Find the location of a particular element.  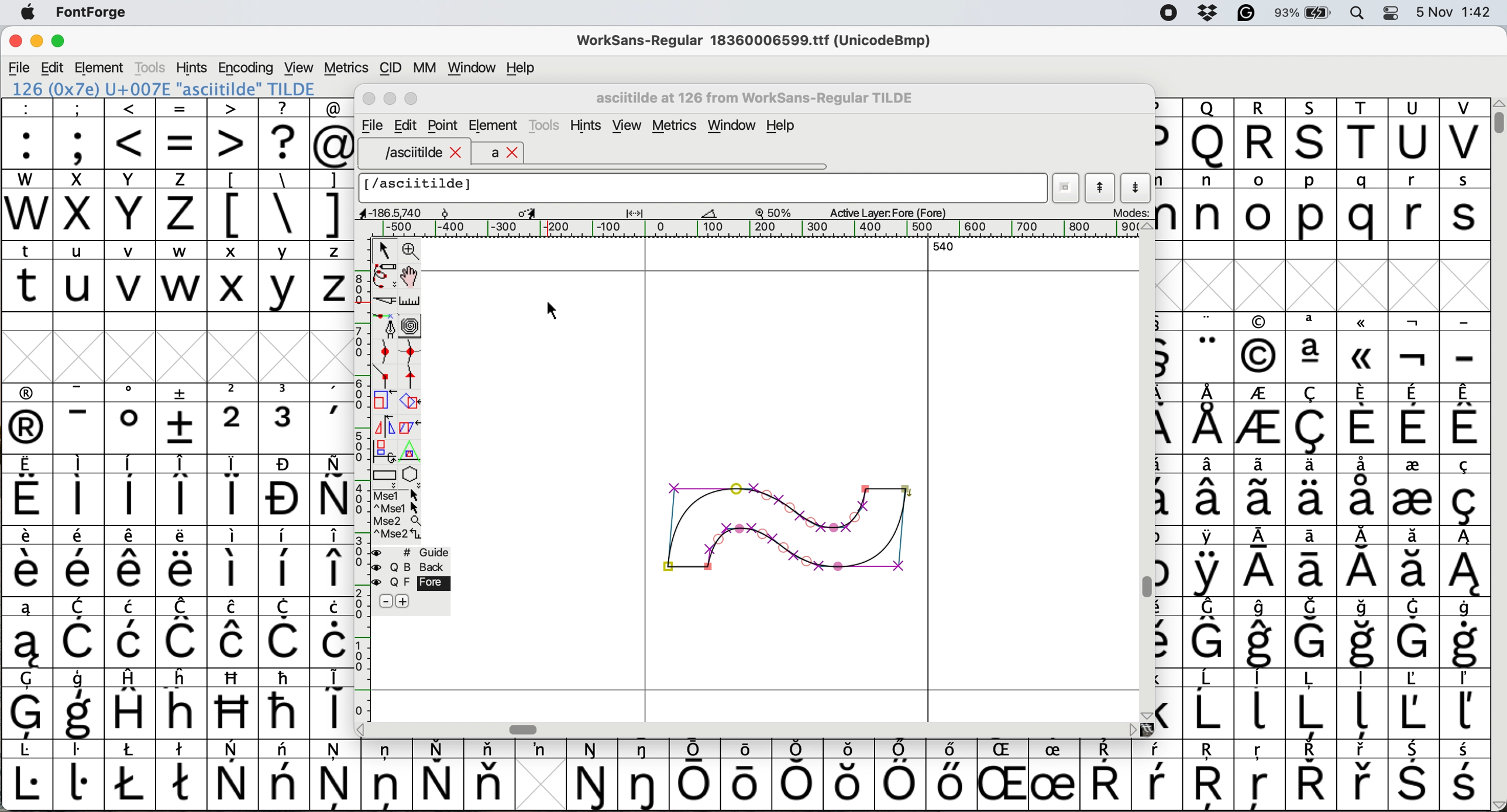

a is located at coordinates (503, 153).